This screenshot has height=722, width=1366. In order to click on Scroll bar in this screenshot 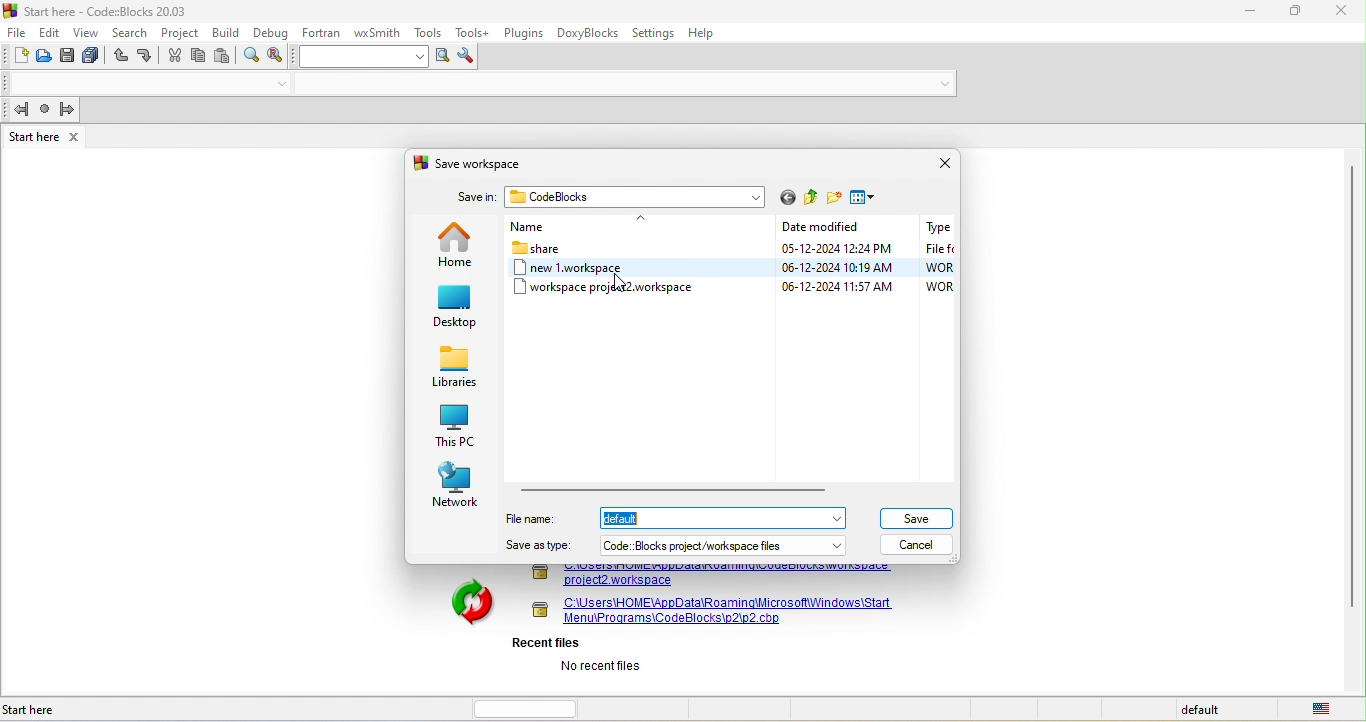, I will do `click(1351, 420)`.